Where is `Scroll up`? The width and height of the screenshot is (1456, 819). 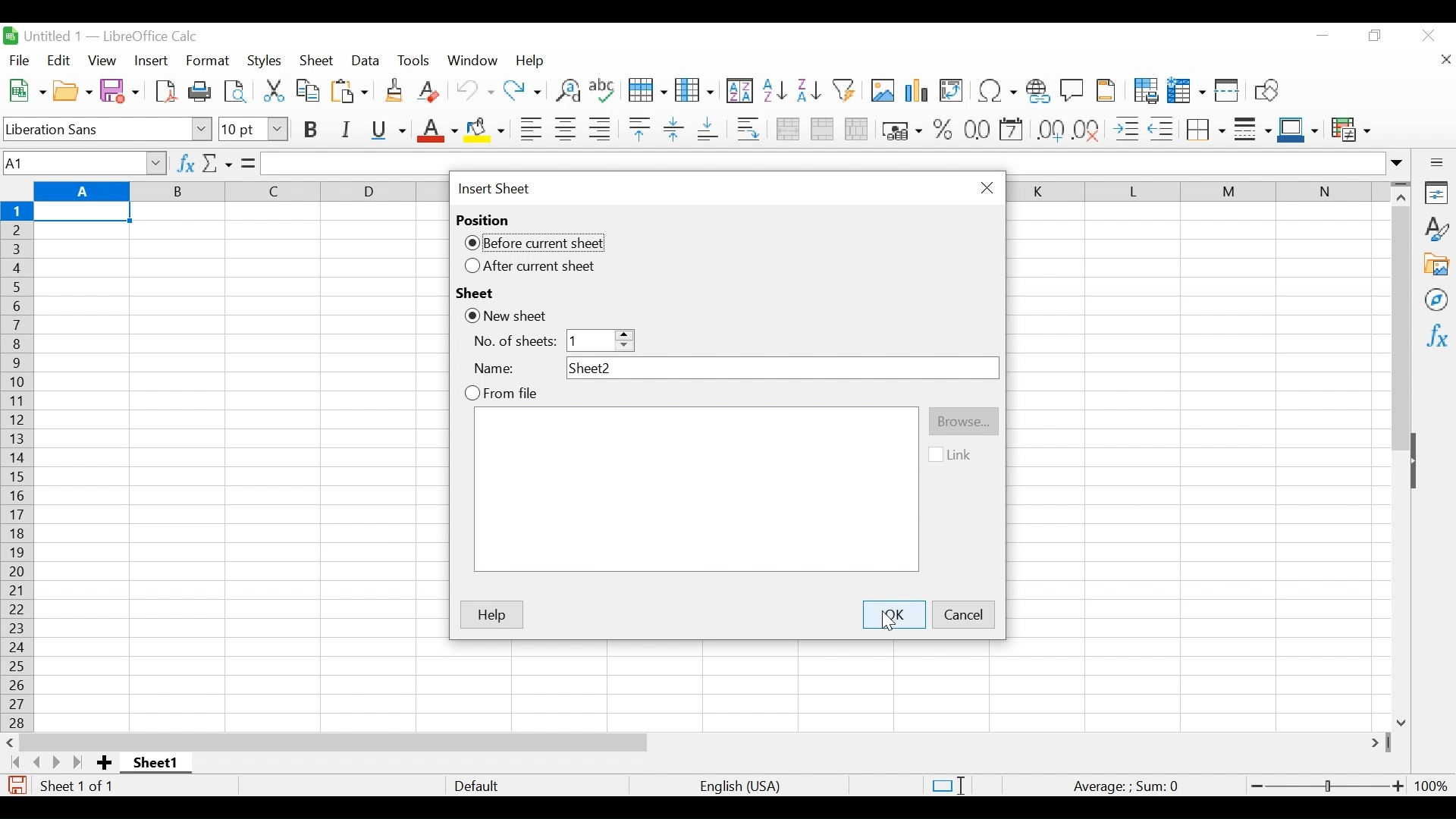
Scroll up is located at coordinates (1401, 199).